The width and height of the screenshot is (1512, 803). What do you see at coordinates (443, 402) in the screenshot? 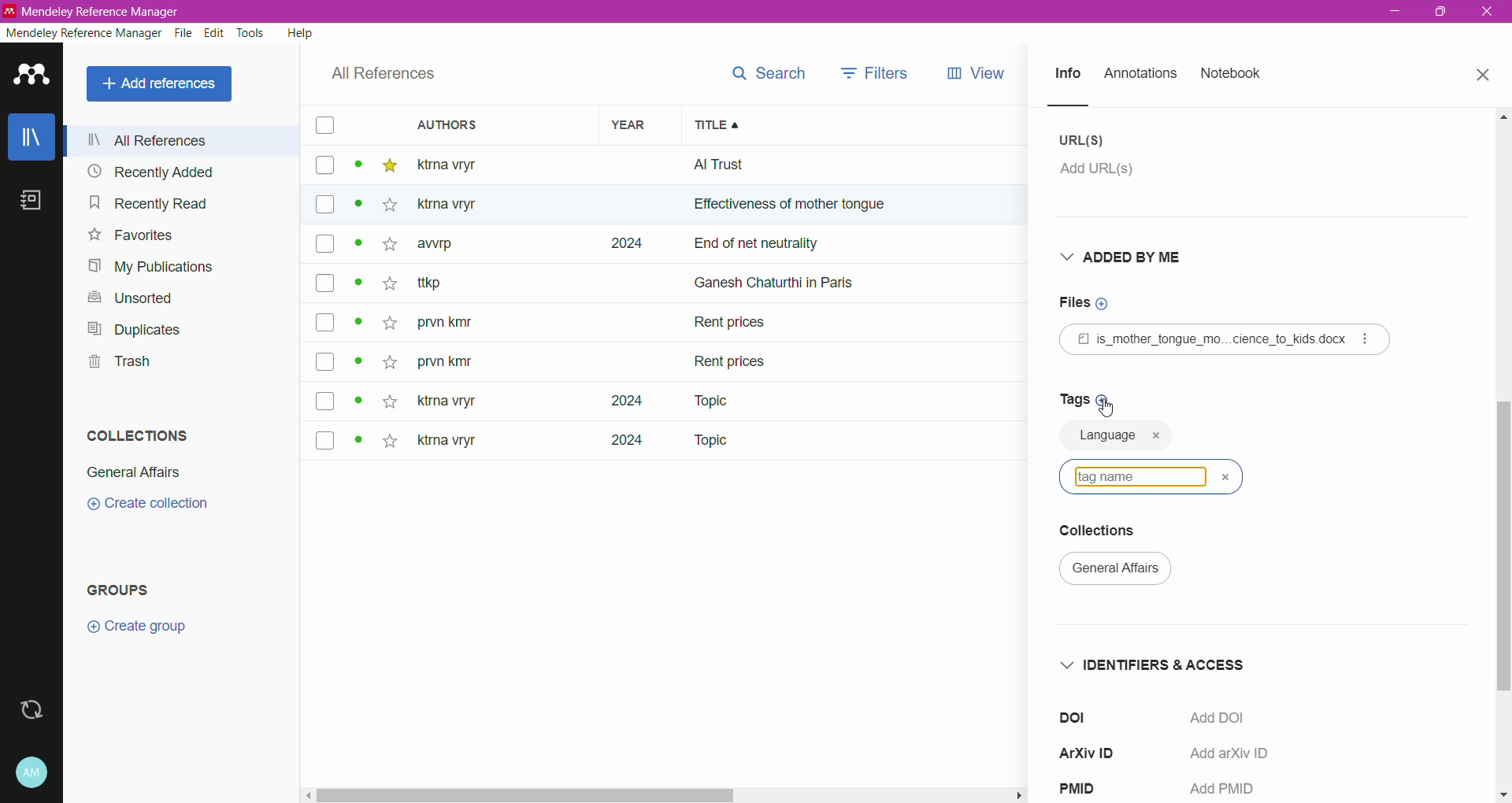
I see `ktna vryt ` at bounding box center [443, 402].